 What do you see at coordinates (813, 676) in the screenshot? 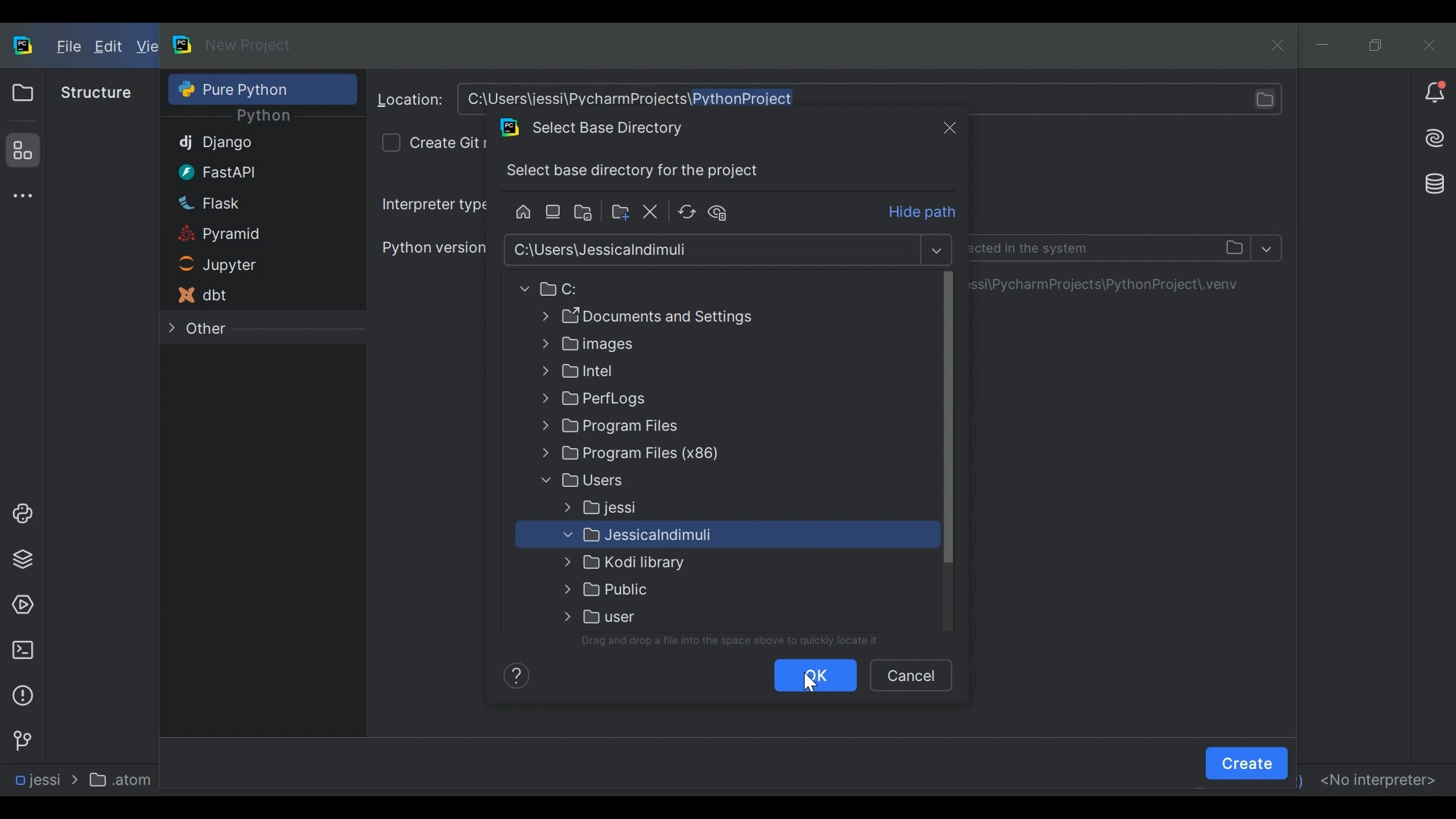
I see `OK` at bounding box center [813, 676].